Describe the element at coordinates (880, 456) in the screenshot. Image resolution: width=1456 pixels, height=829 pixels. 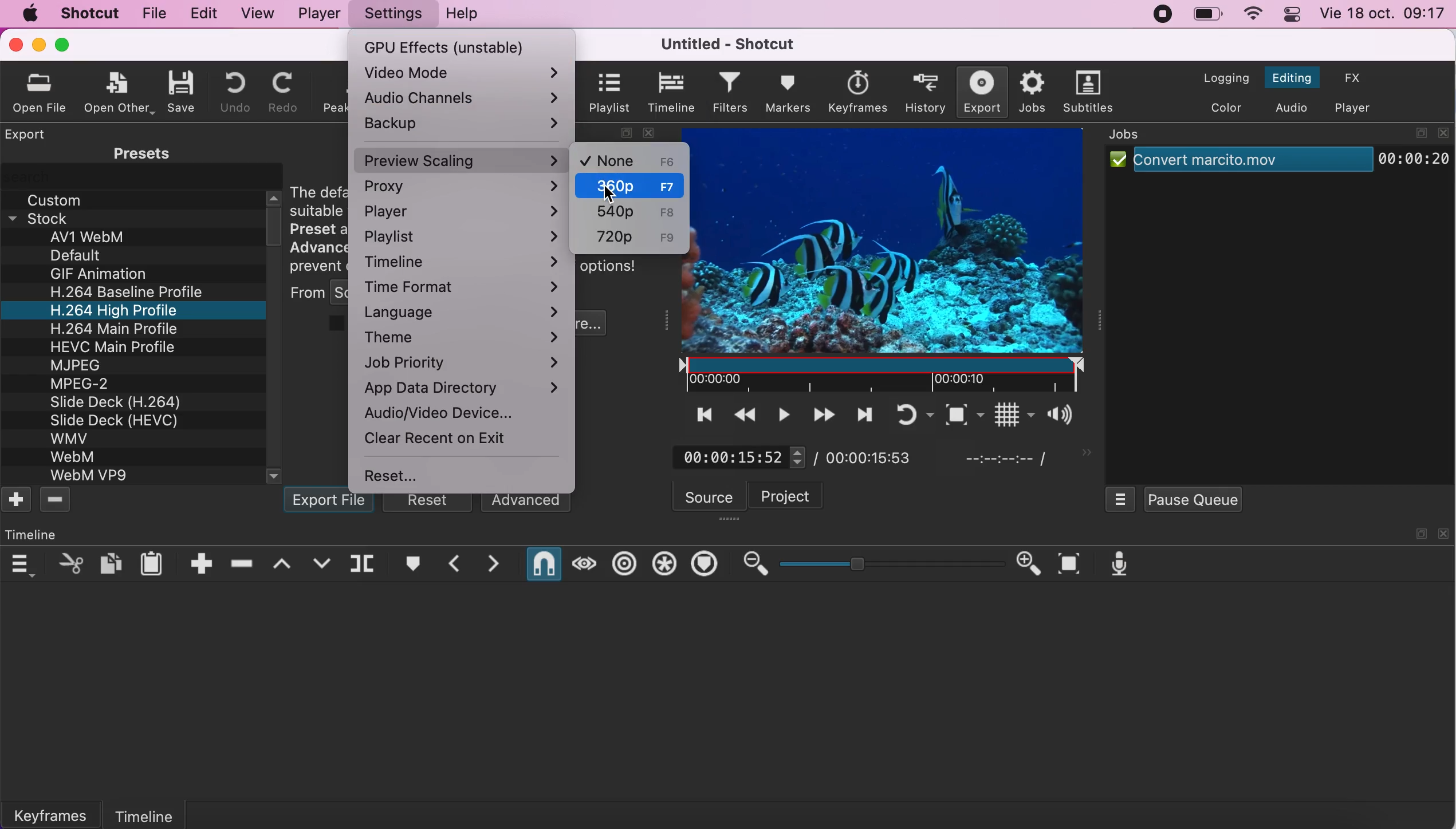
I see `total duration` at that location.